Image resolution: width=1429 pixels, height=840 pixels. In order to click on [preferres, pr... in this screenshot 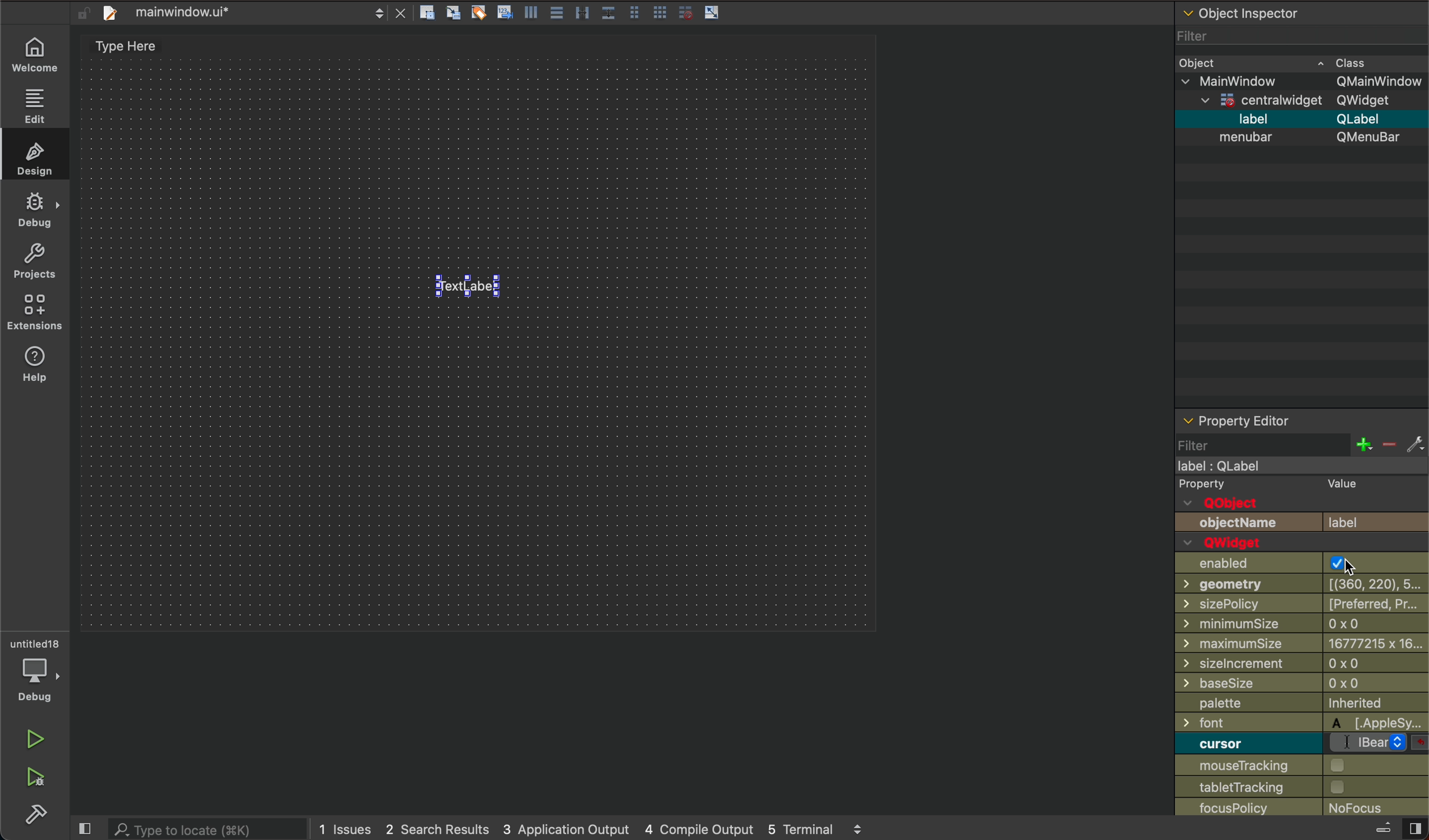, I will do `click(1375, 605)`.